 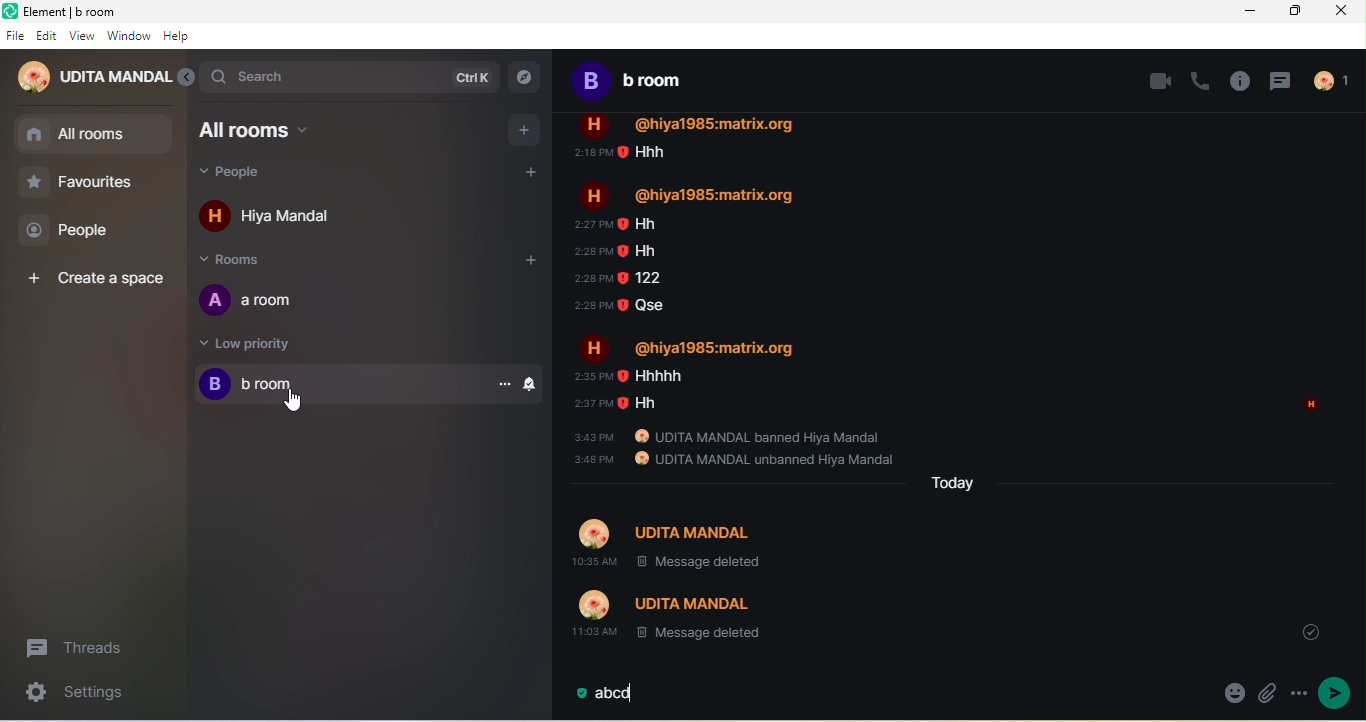 I want to click on emoji, so click(x=1231, y=696).